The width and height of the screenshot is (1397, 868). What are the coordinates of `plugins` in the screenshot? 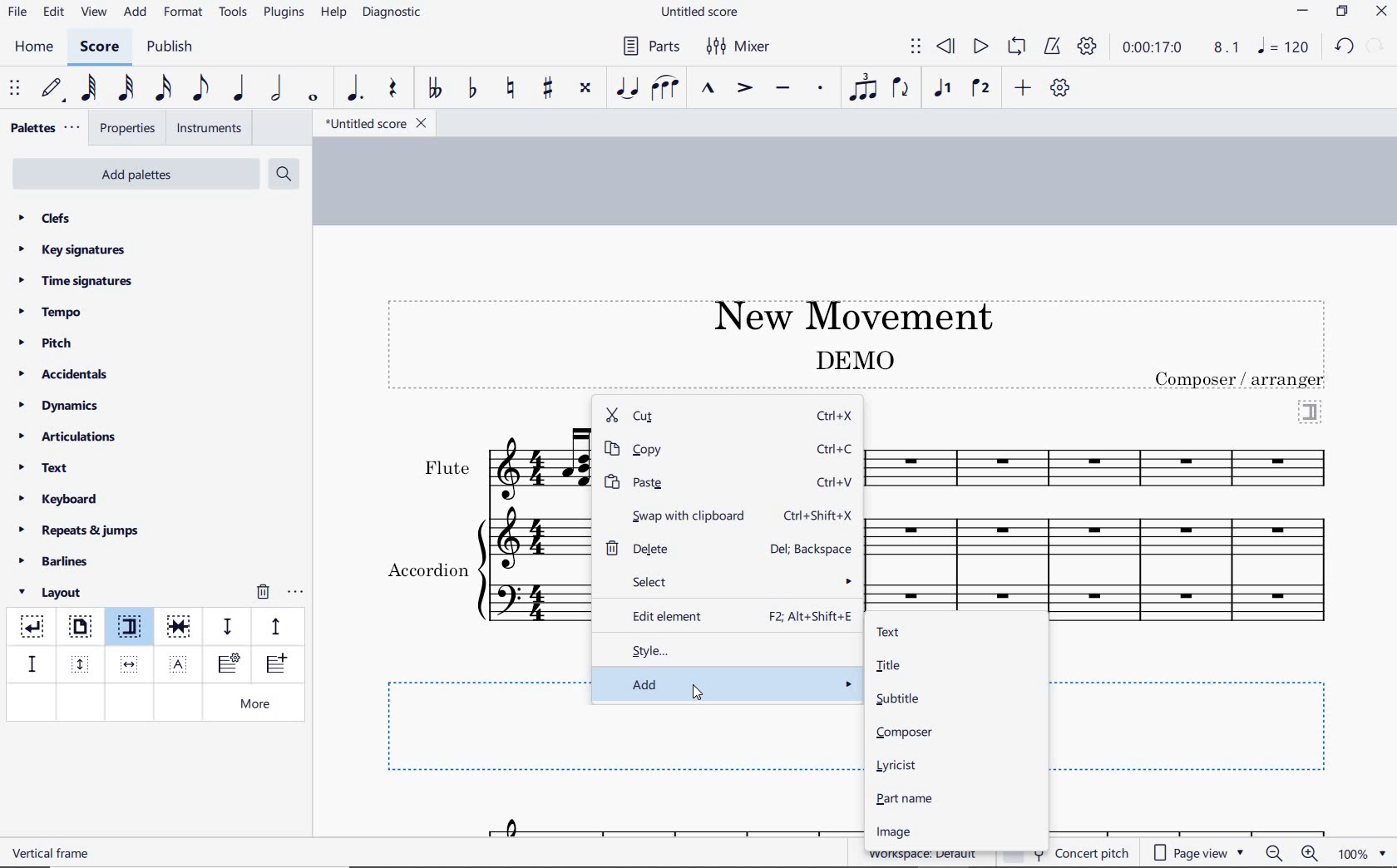 It's located at (284, 13).